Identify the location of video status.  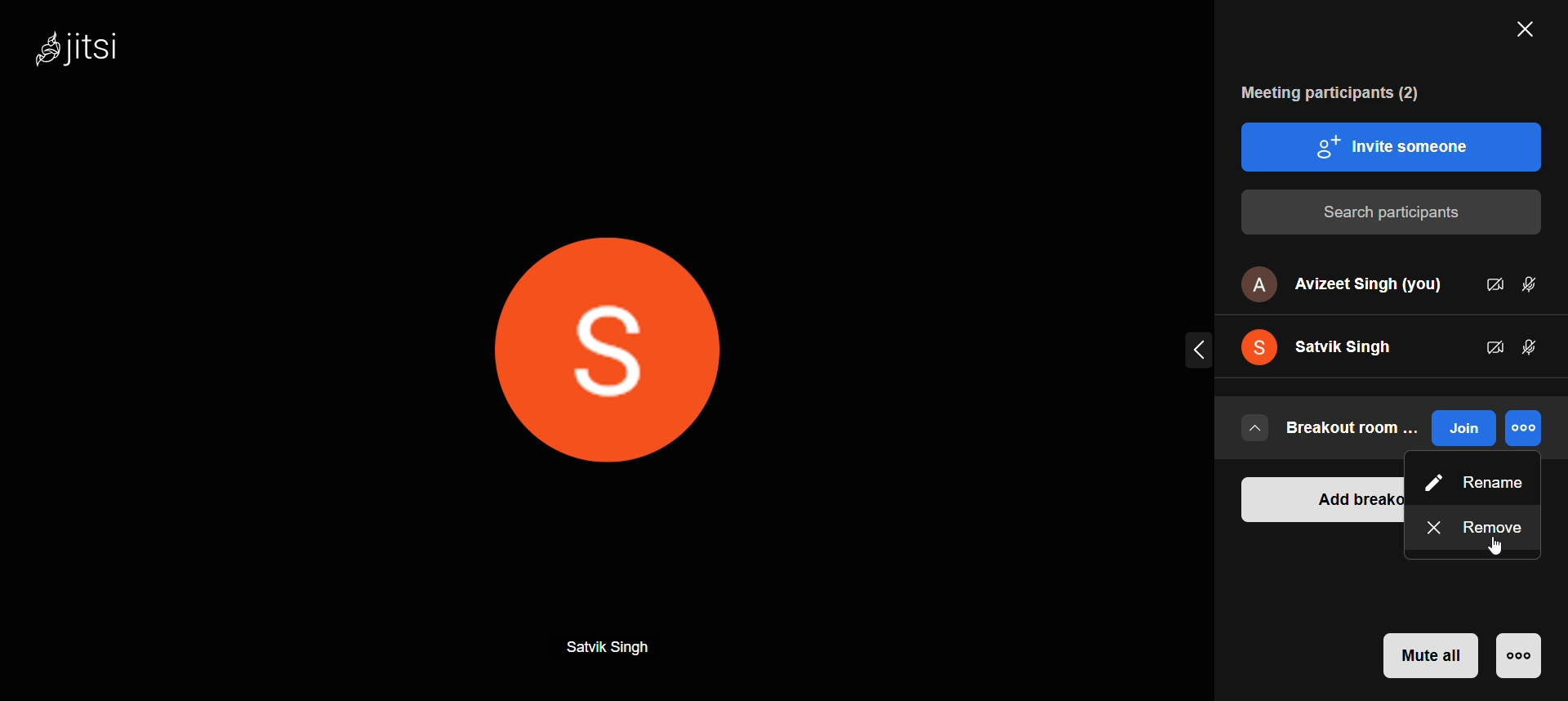
(1492, 284).